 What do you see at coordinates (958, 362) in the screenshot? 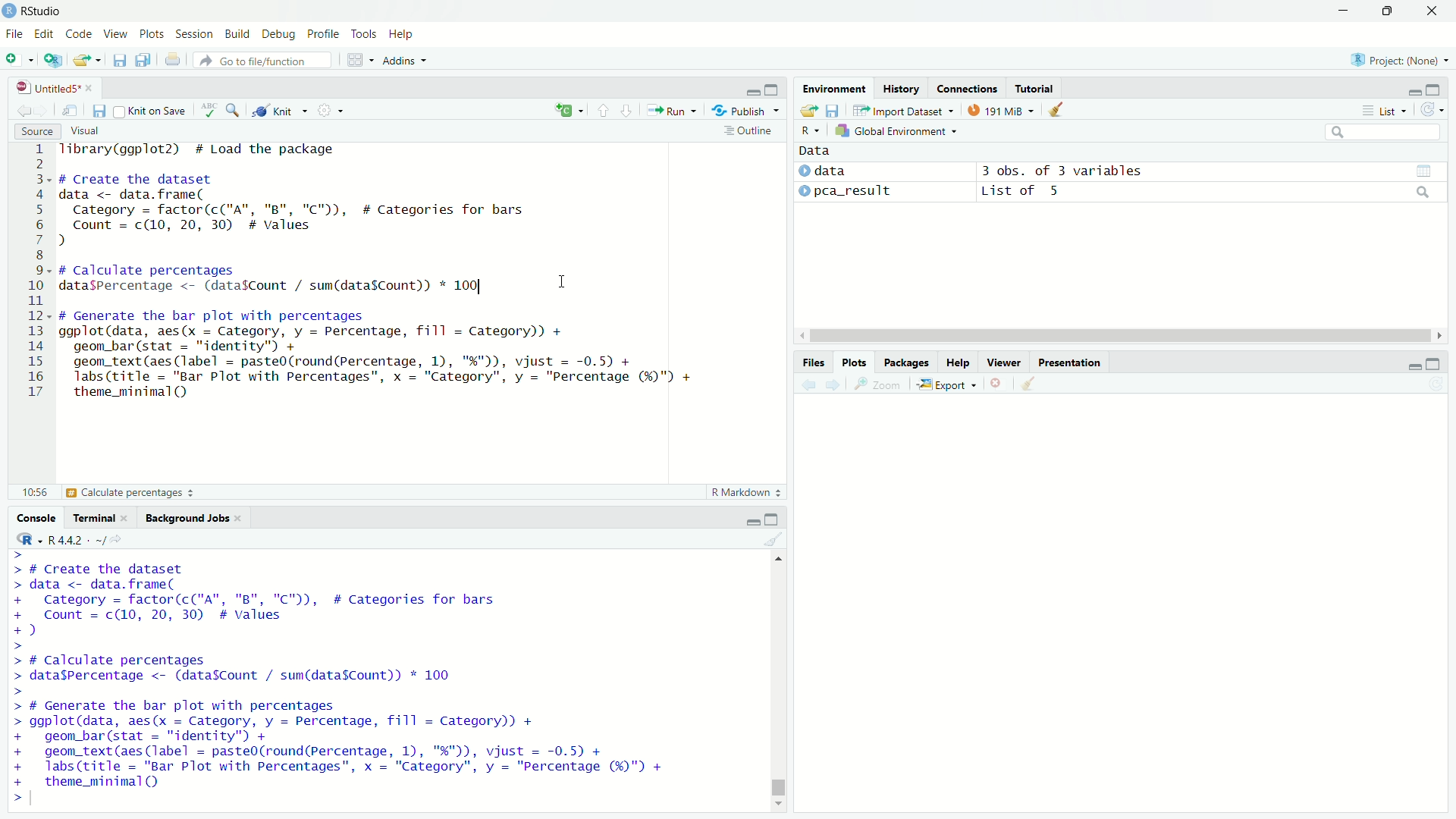
I see `help` at bounding box center [958, 362].